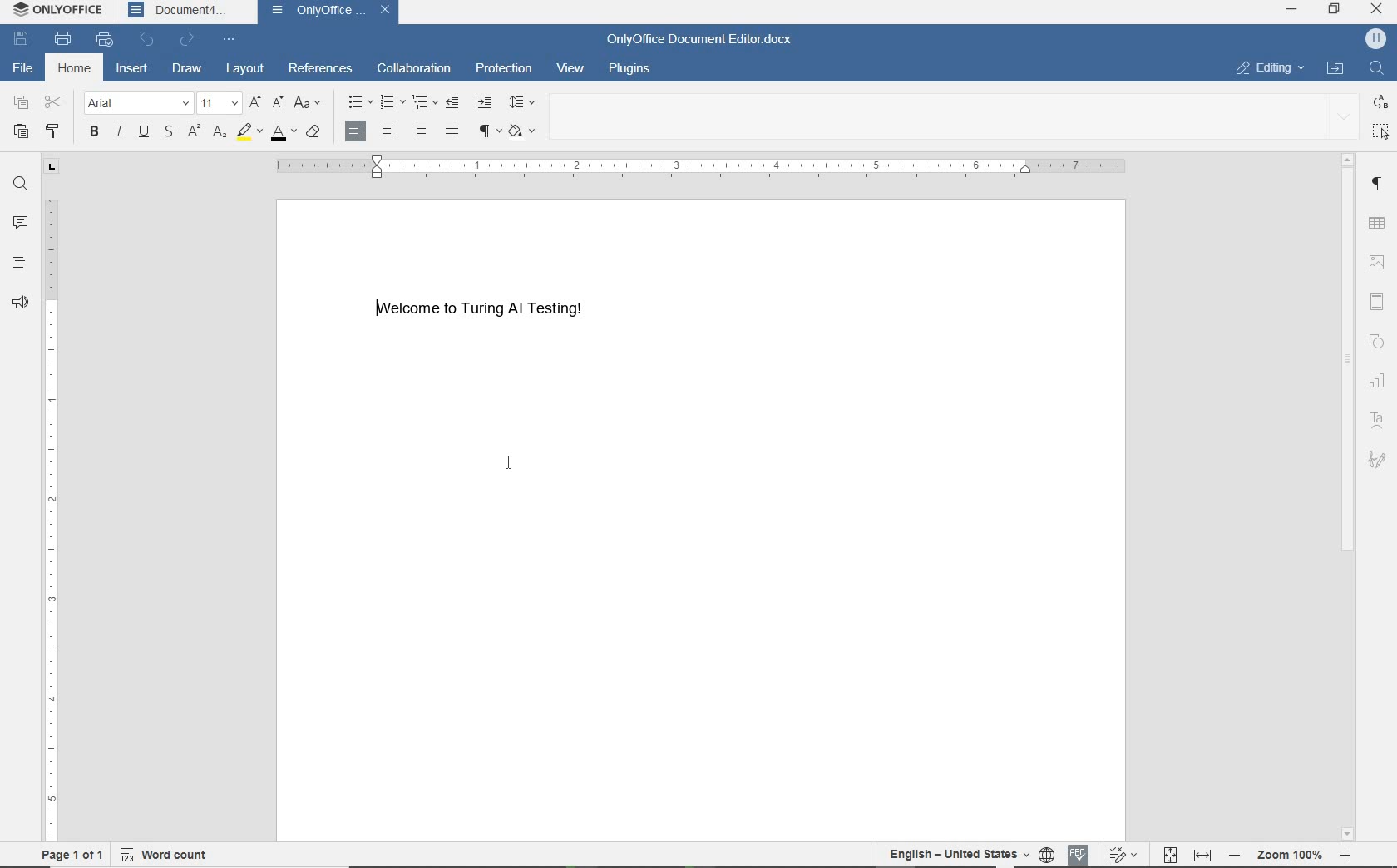 Image resolution: width=1397 pixels, height=868 pixels. What do you see at coordinates (388, 132) in the screenshot?
I see `align center` at bounding box center [388, 132].